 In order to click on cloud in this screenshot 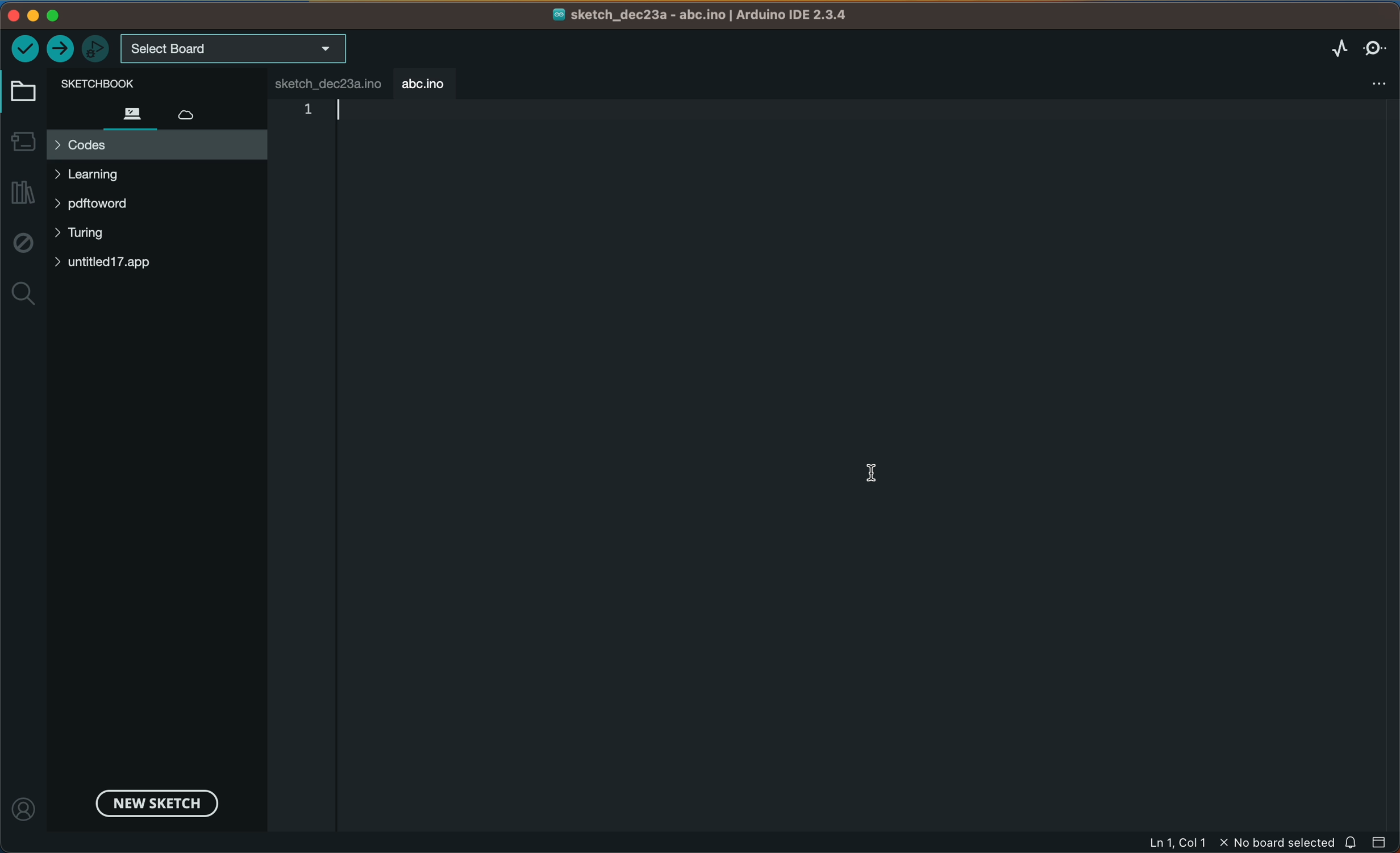, I will do `click(197, 111)`.